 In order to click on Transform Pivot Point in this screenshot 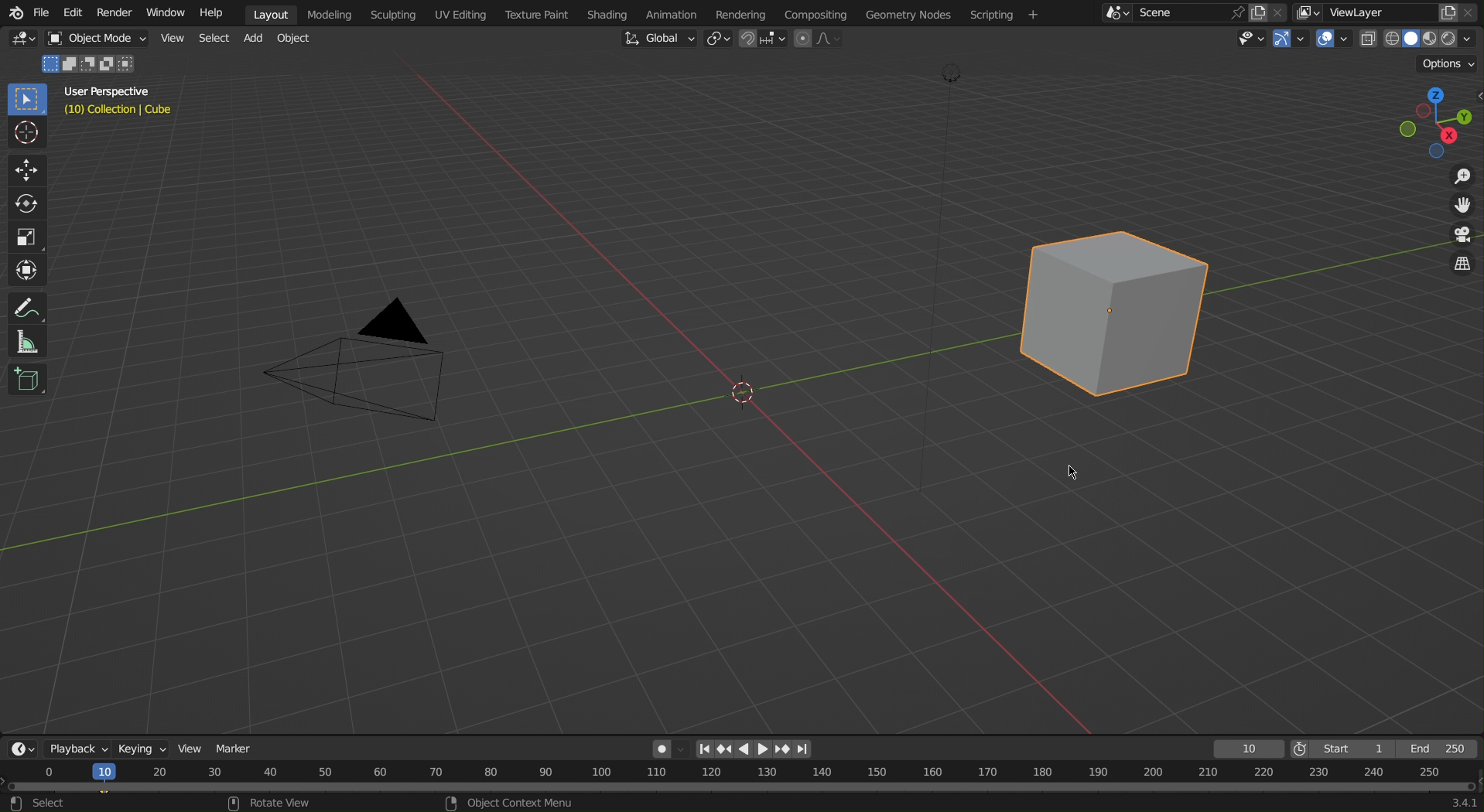, I will do `click(721, 40)`.